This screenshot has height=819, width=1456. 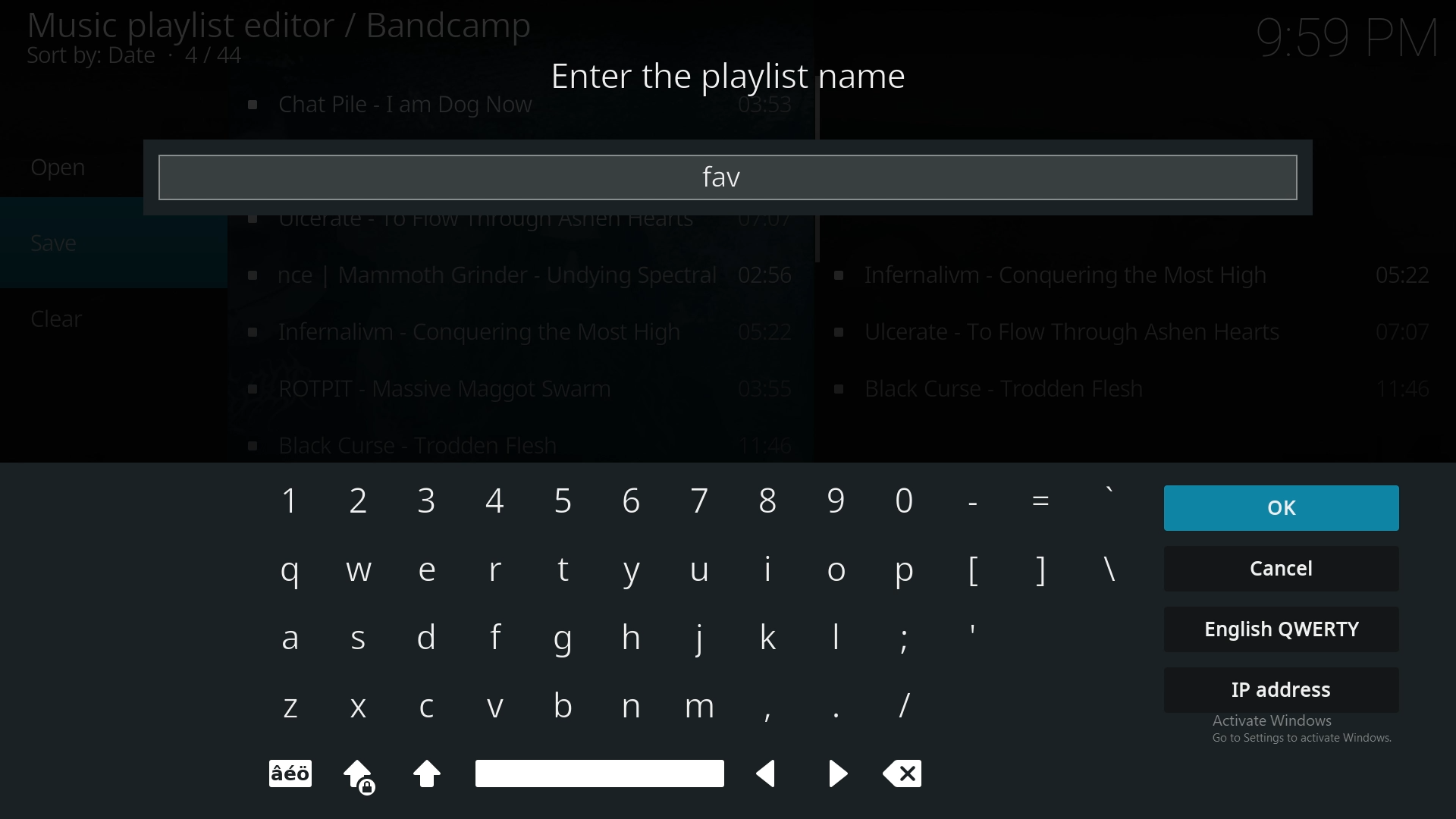 What do you see at coordinates (1137, 334) in the screenshot?
I see `Infernalivm - Conquering the Most High 05:22` at bounding box center [1137, 334].